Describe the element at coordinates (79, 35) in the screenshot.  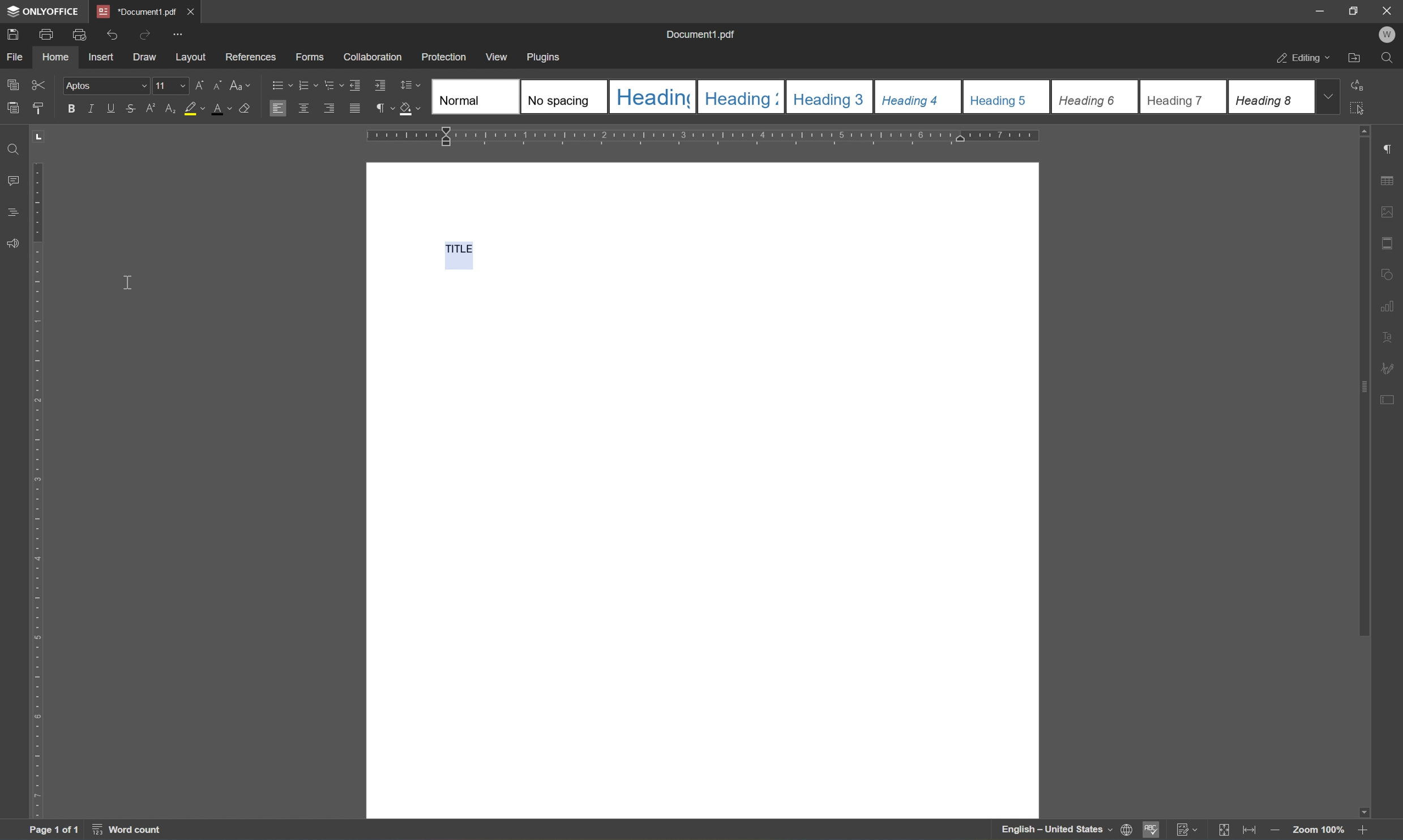
I see `quick print` at that location.